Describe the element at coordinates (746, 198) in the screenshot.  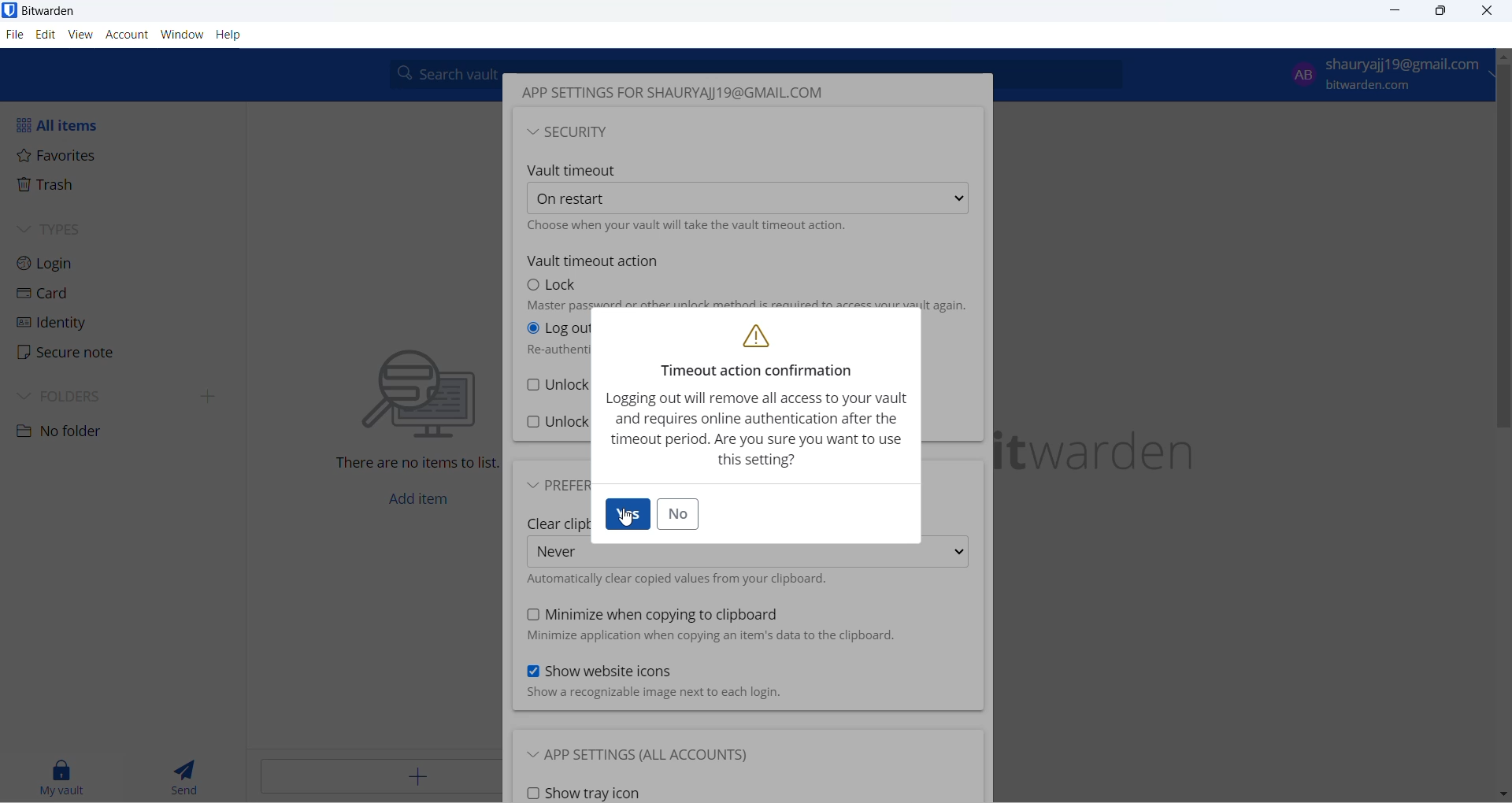
I see `time out options` at that location.